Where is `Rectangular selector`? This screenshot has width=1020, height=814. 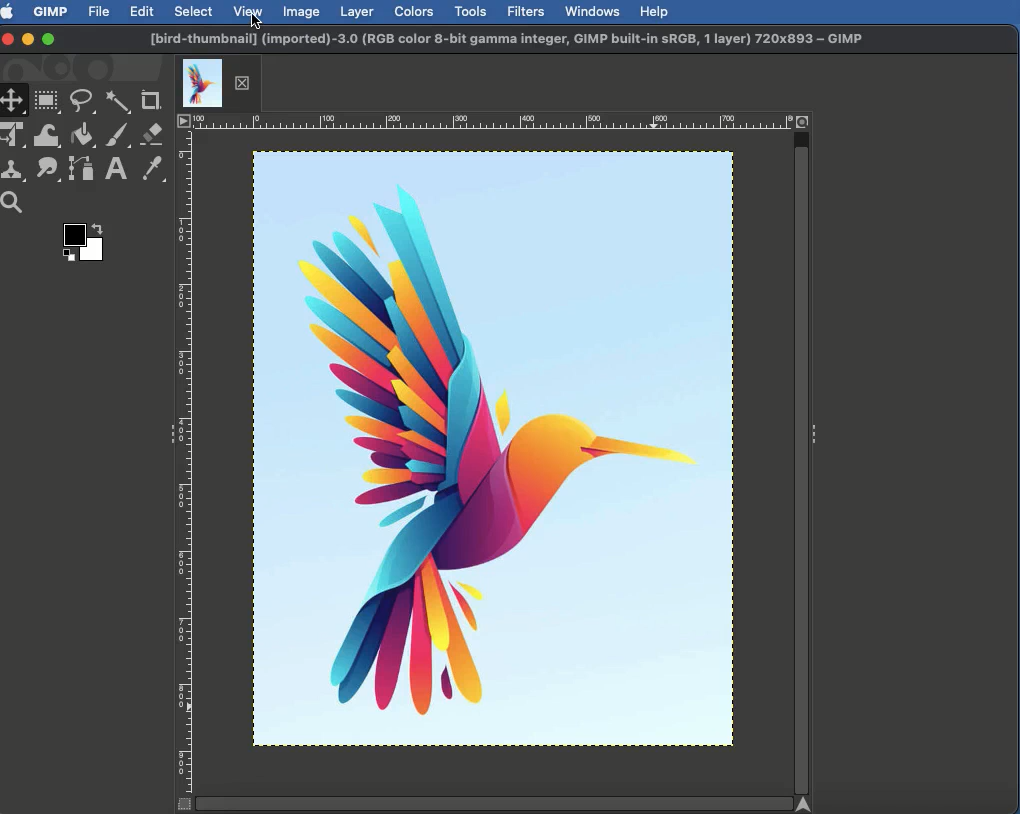 Rectangular selector is located at coordinates (47, 102).